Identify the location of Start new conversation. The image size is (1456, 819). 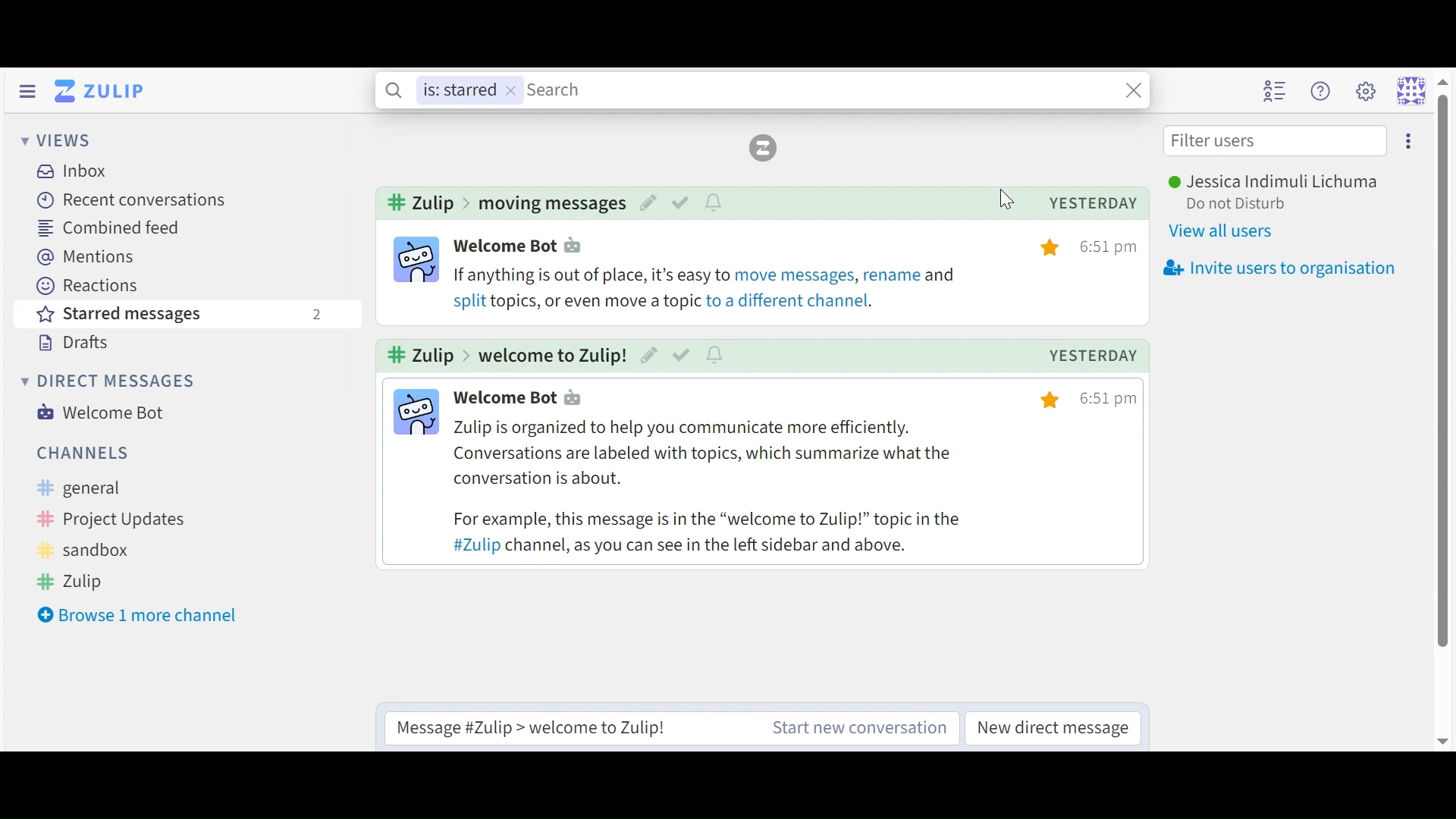
(861, 726).